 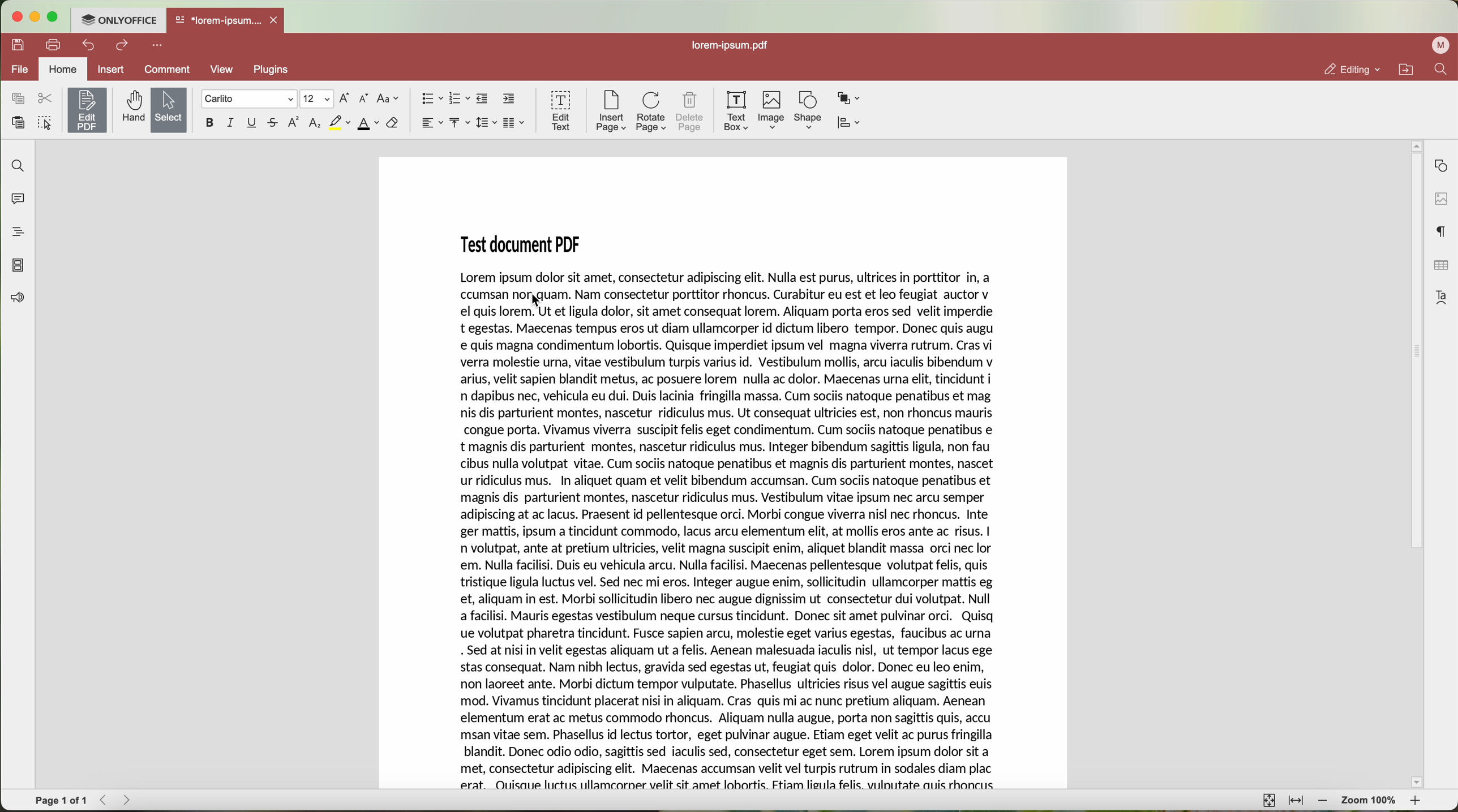 I want to click on zoom out, so click(x=1321, y=801).